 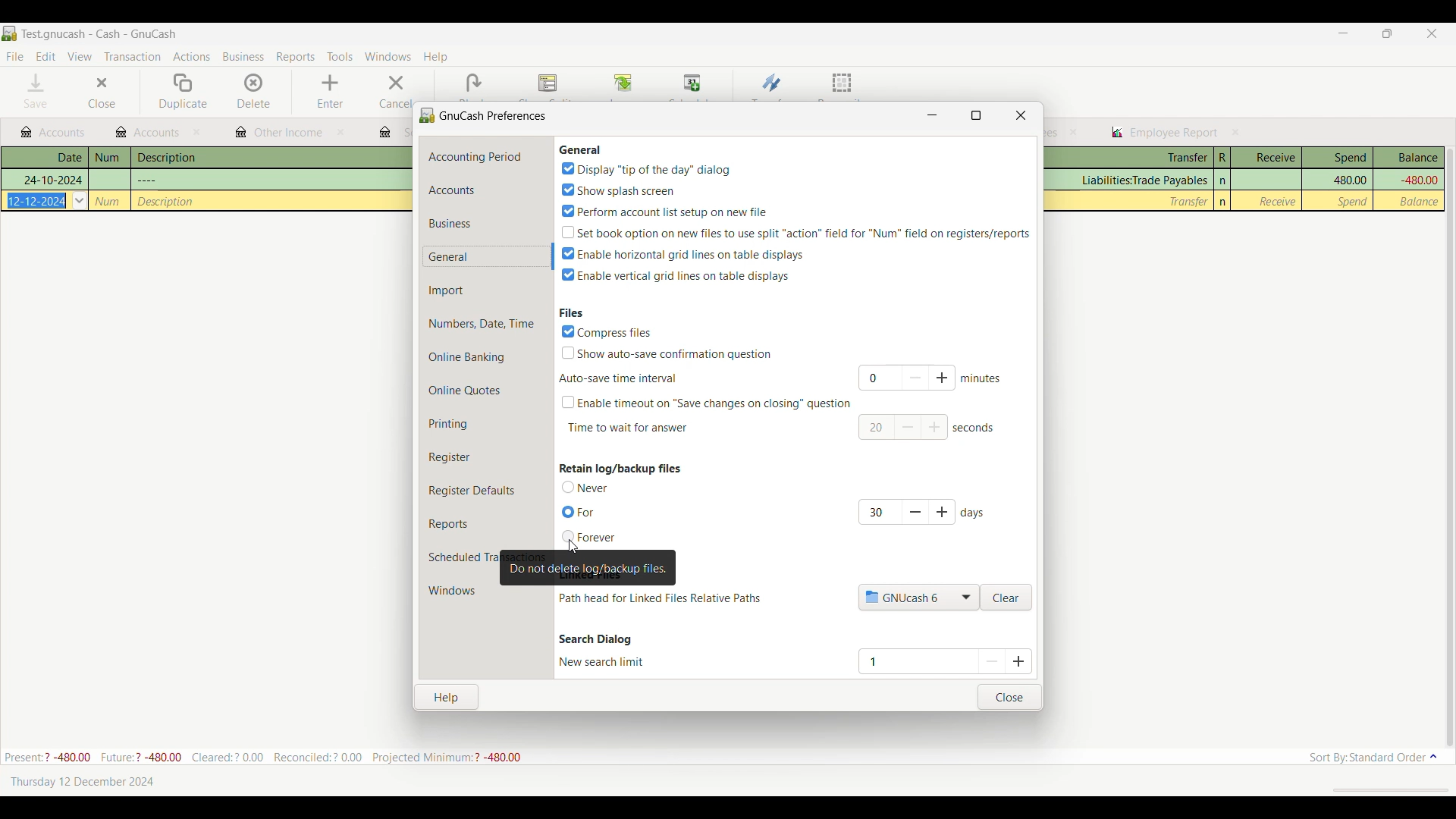 What do you see at coordinates (1409, 158) in the screenshot?
I see `Balance column` at bounding box center [1409, 158].